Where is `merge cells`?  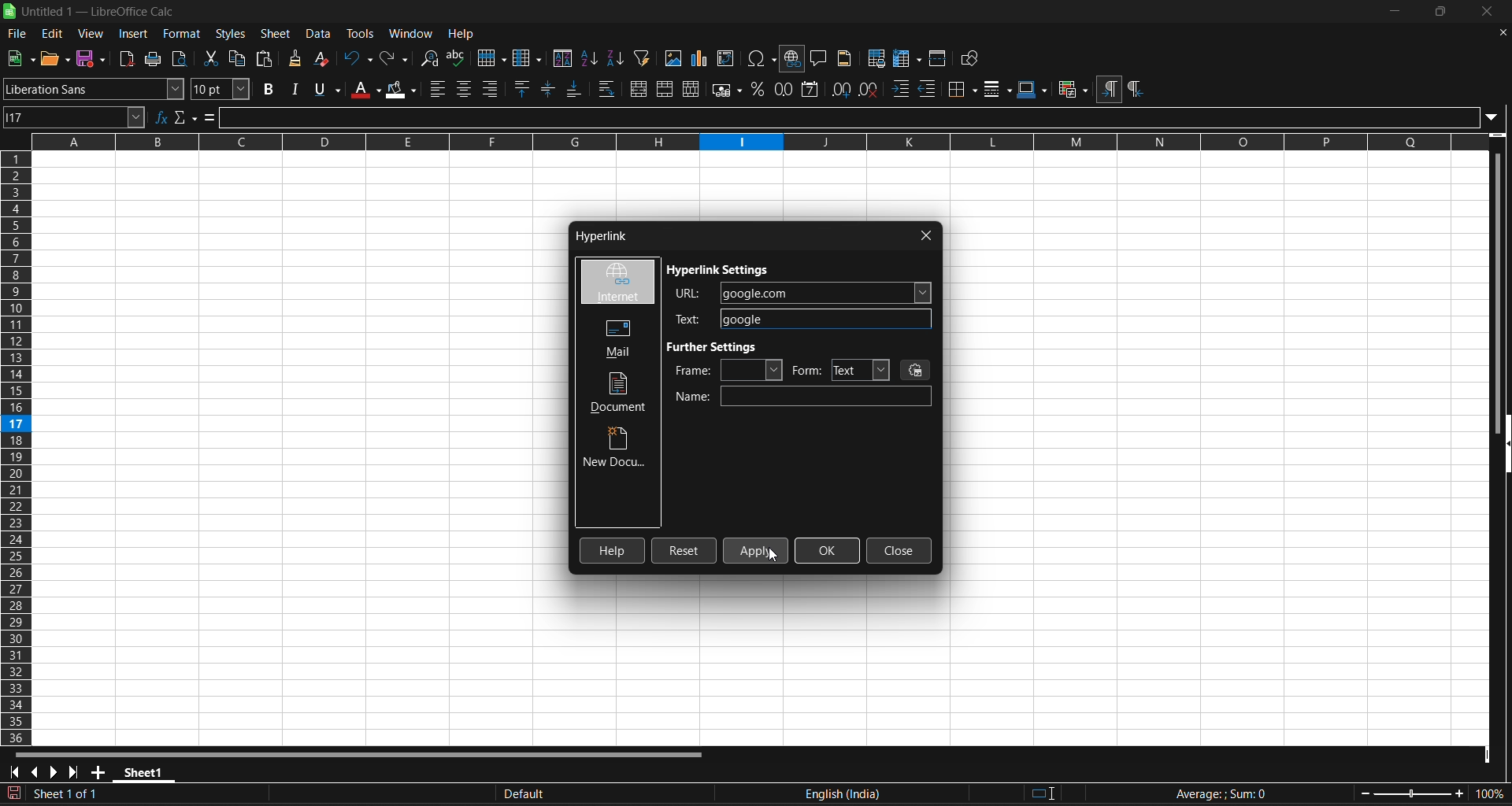 merge cells is located at coordinates (665, 89).